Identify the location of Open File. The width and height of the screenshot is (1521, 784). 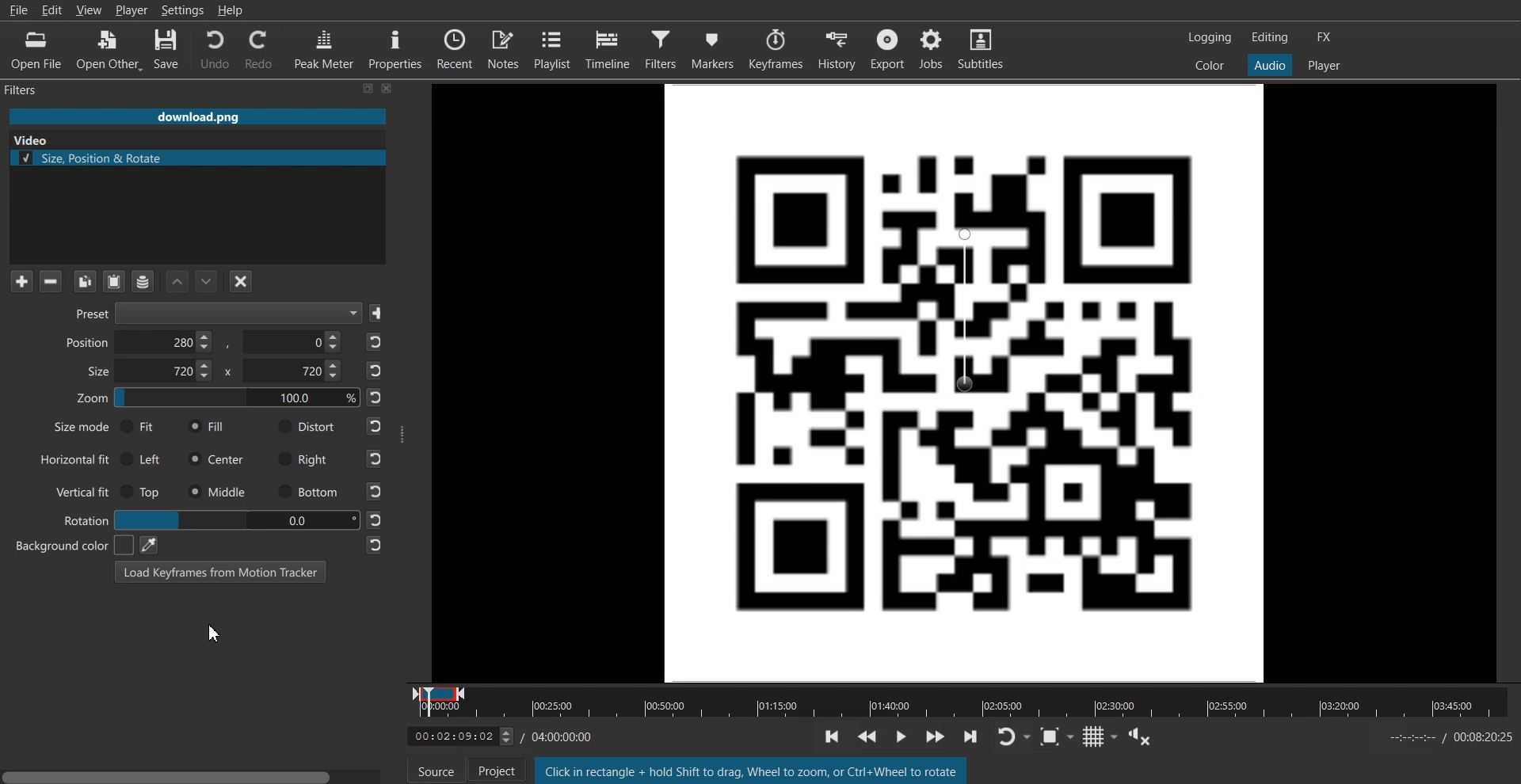
(33, 49).